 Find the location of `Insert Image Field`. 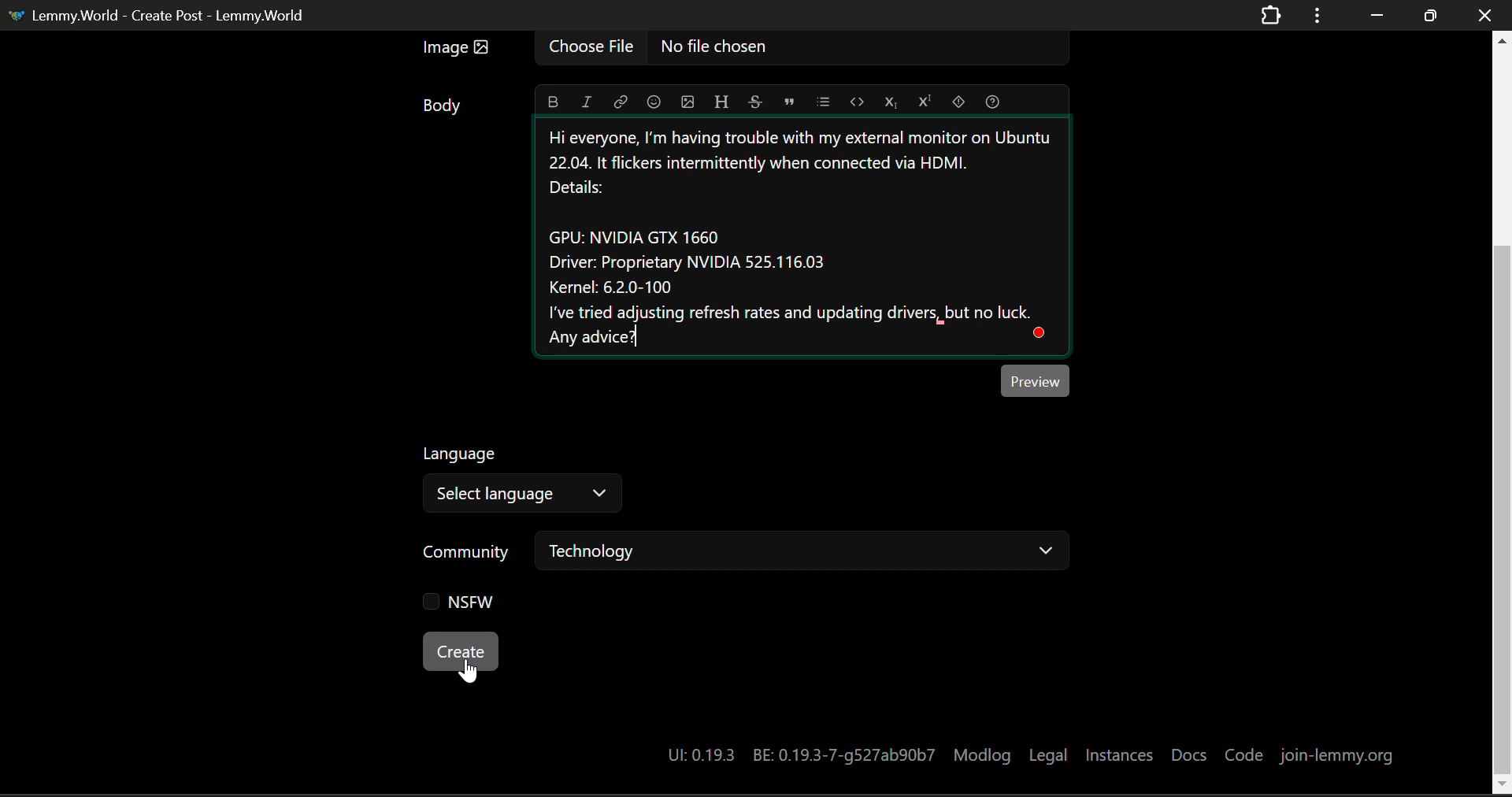

Insert Image Field is located at coordinates (740, 50).